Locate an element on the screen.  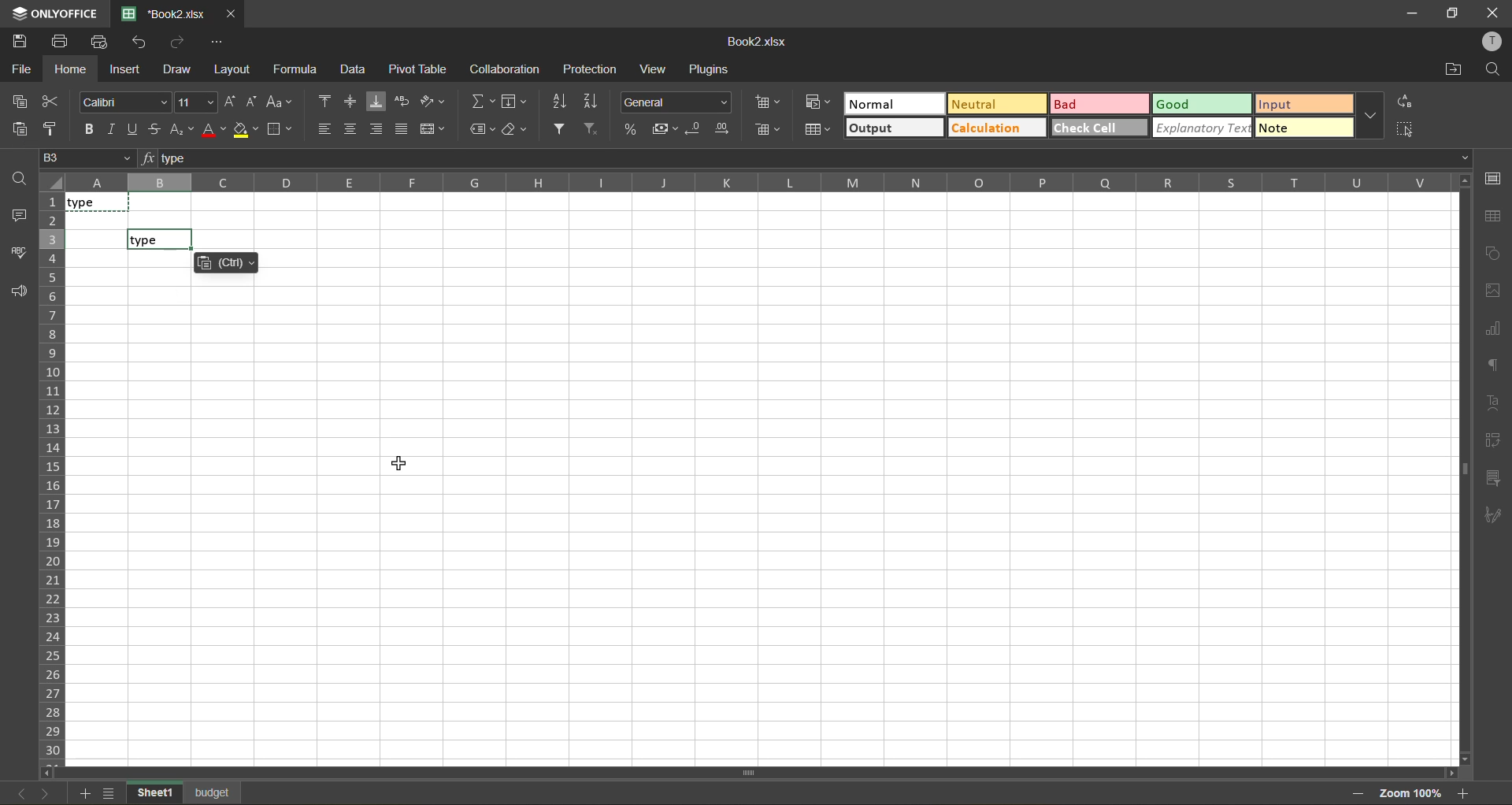
check cell is located at coordinates (1099, 128).